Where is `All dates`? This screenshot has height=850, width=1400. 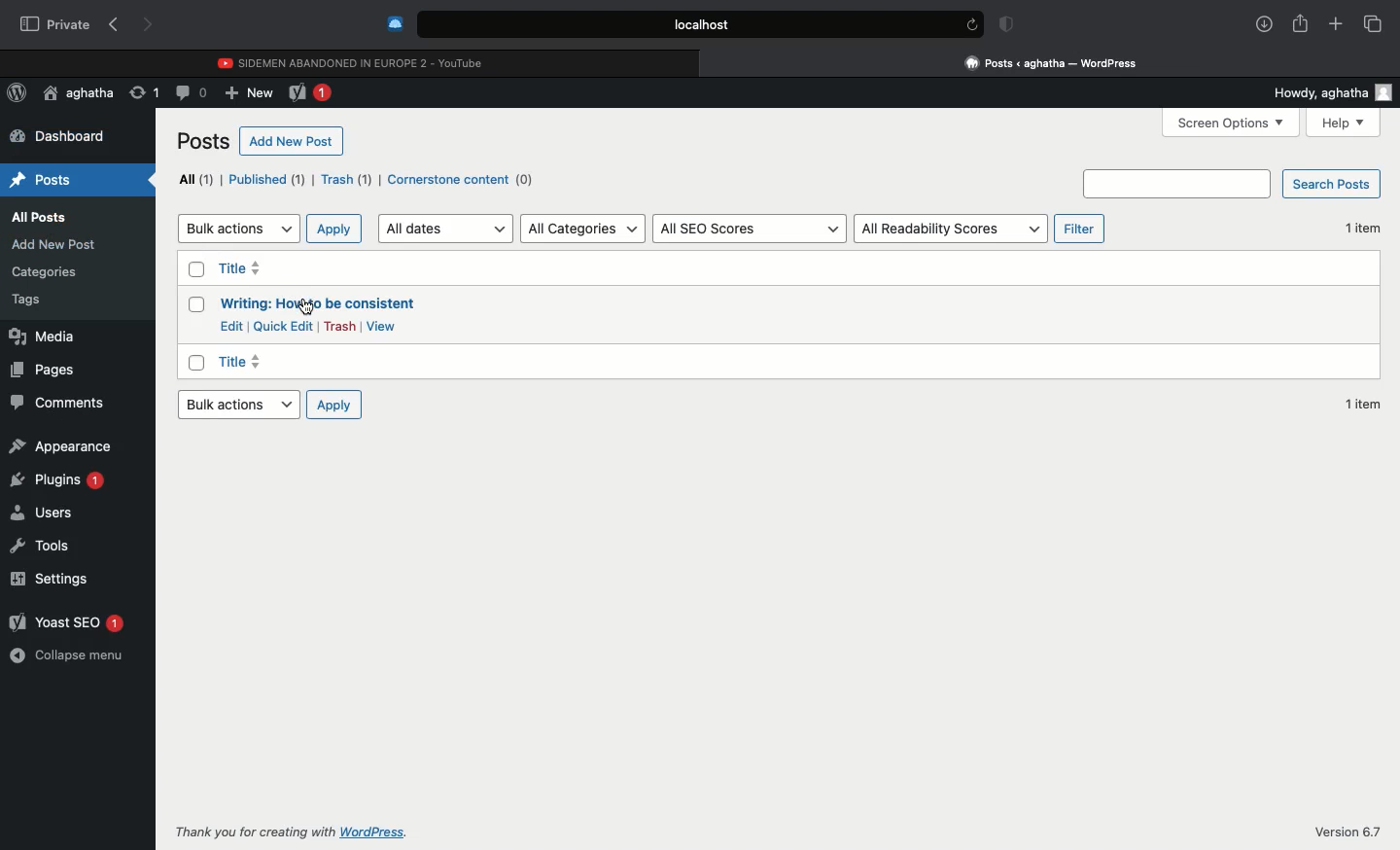 All dates is located at coordinates (446, 229).